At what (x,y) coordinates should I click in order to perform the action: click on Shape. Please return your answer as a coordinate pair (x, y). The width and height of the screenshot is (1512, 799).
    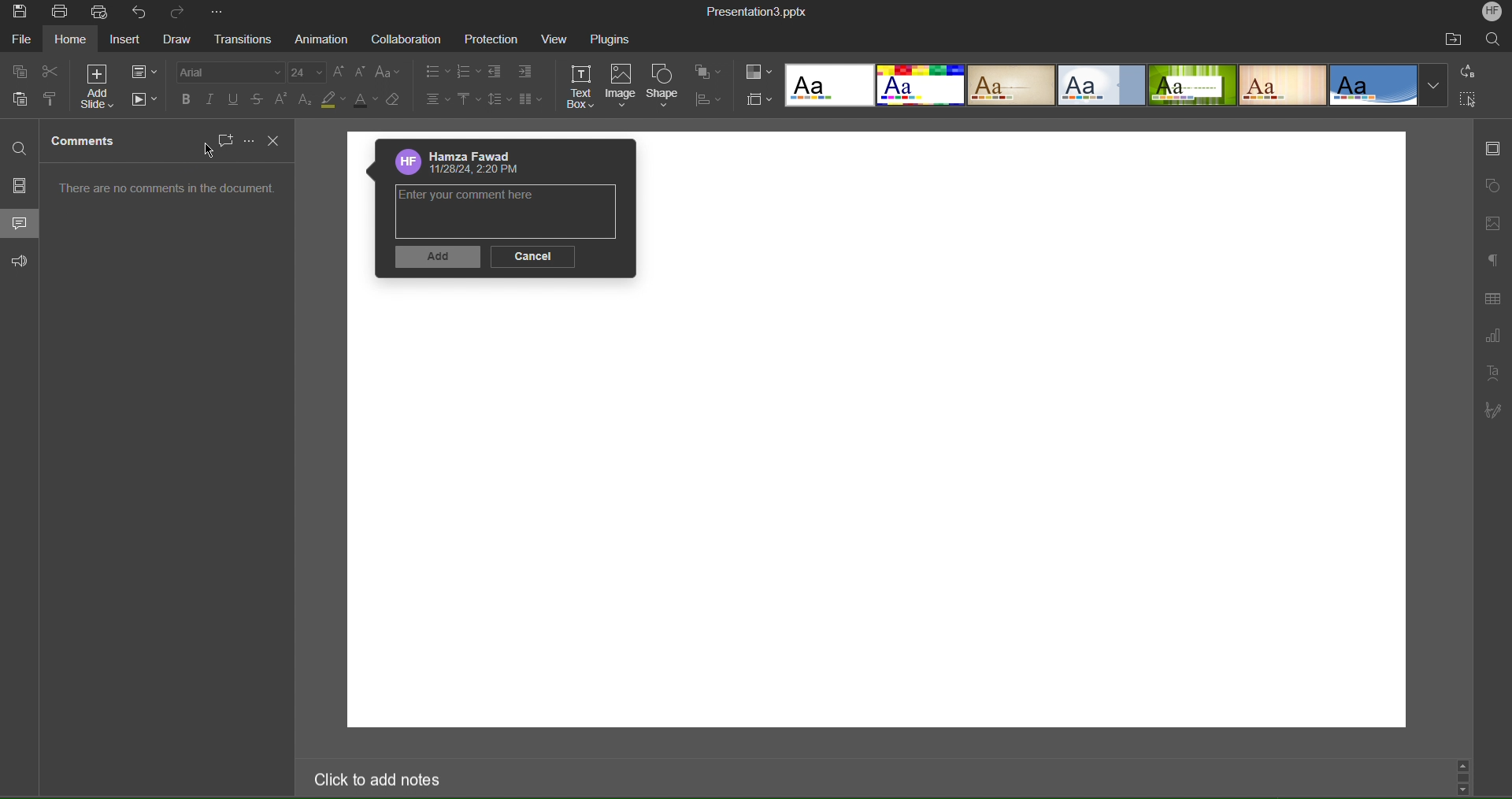
    Looking at the image, I should click on (666, 86).